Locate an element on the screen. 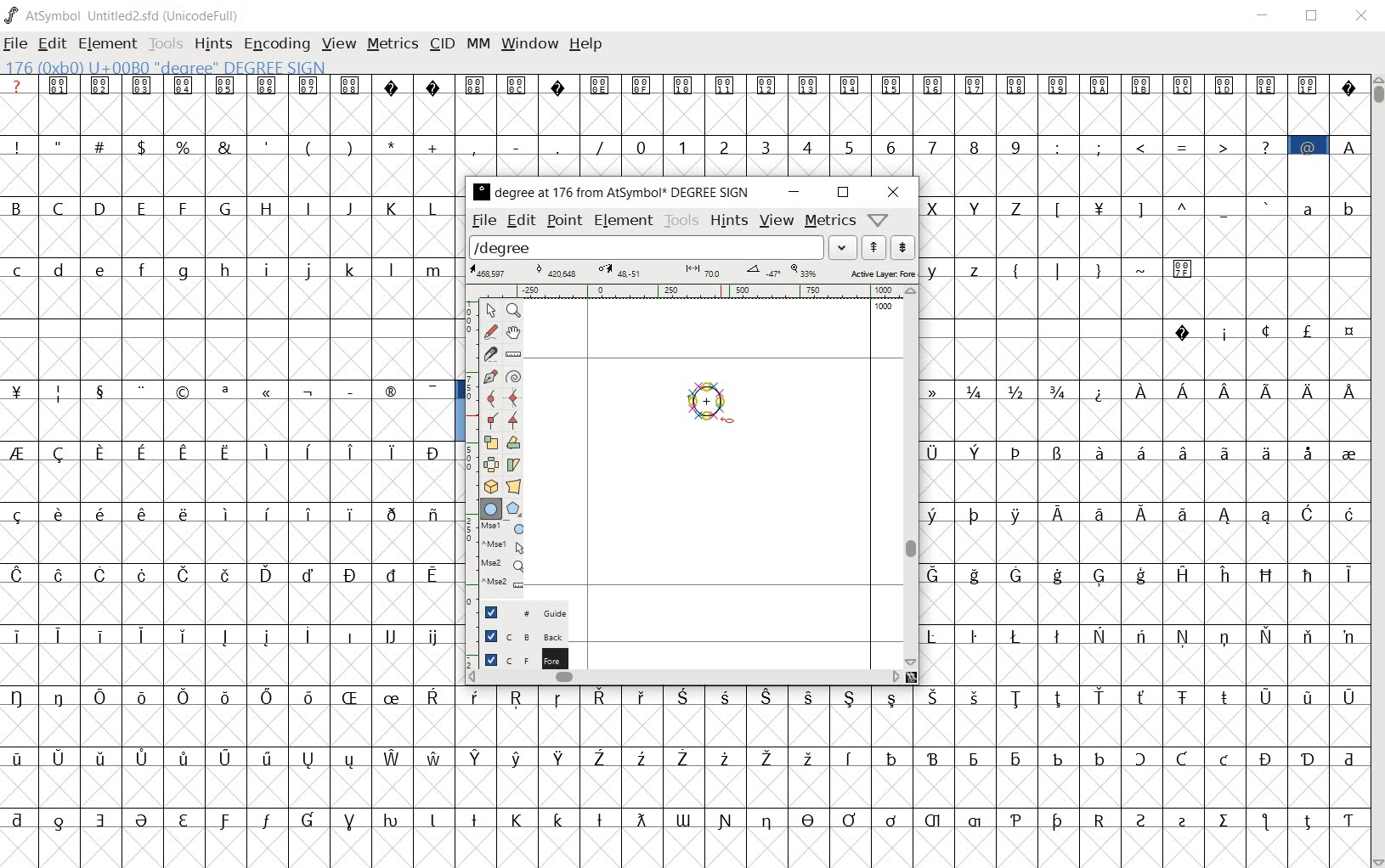 The width and height of the screenshot is (1385, 868). edit is located at coordinates (523, 222).